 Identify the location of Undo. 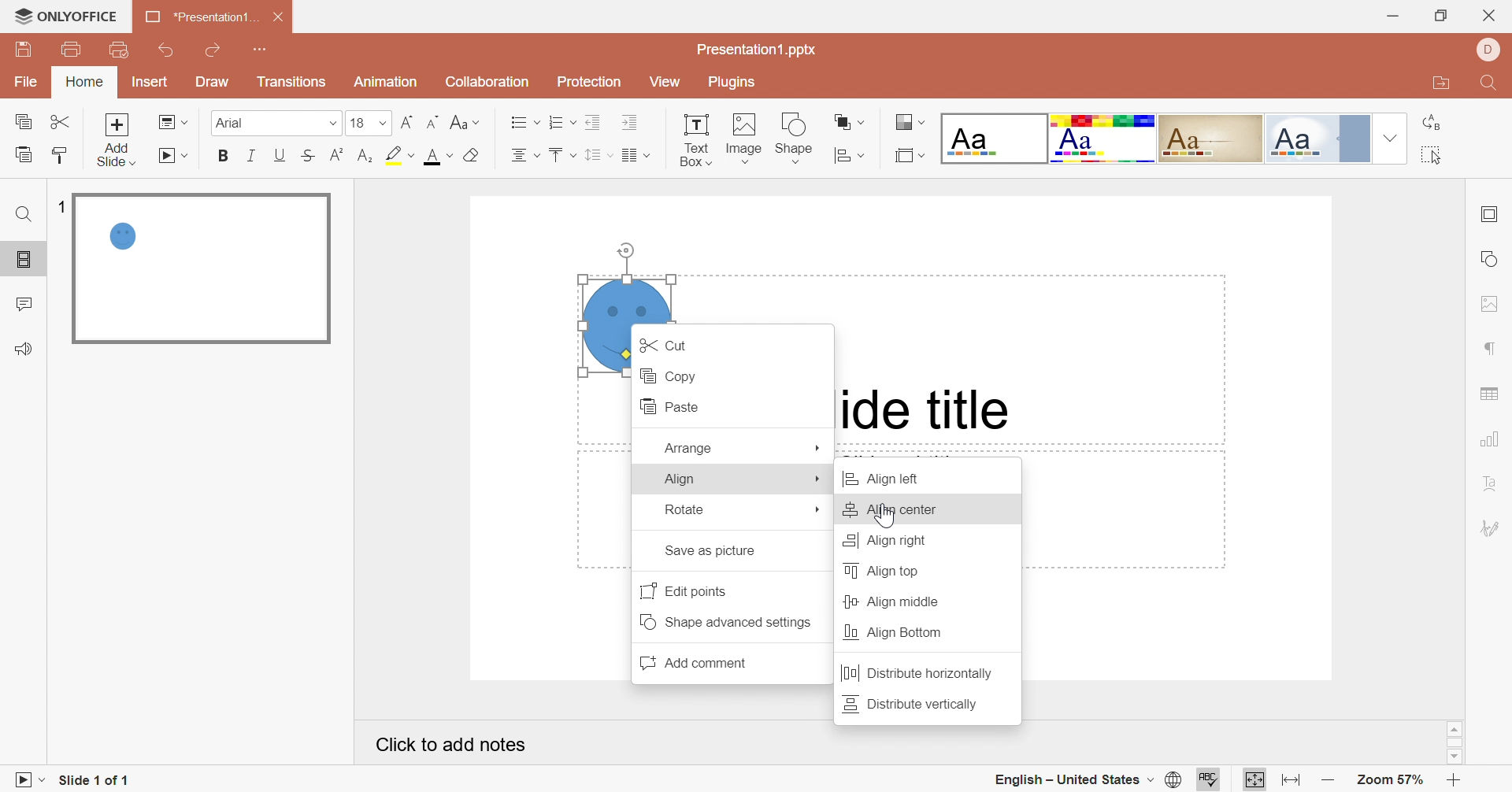
(168, 51).